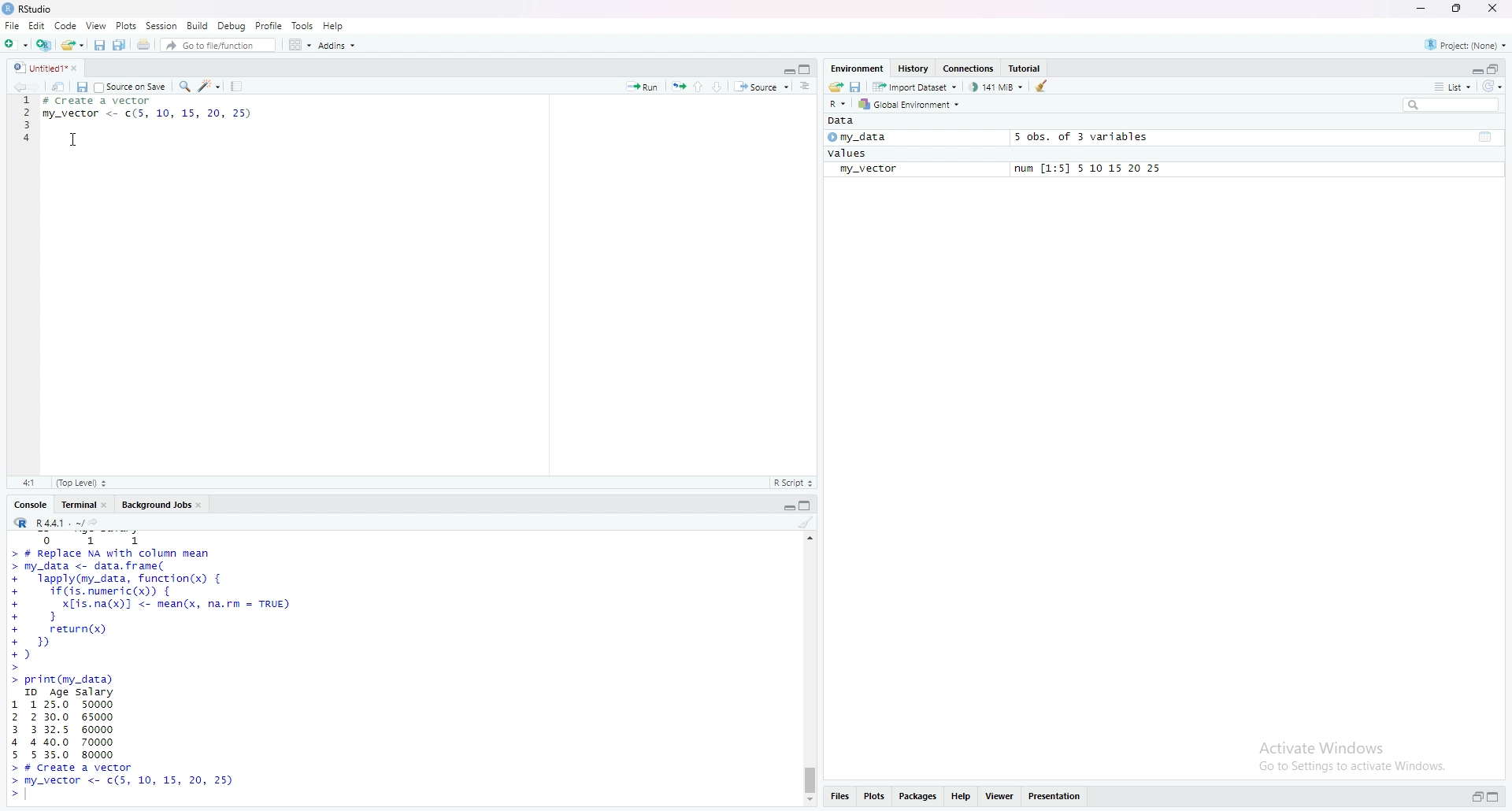  What do you see at coordinates (65, 26) in the screenshot?
I see `code` at bounding box center [65, 26].